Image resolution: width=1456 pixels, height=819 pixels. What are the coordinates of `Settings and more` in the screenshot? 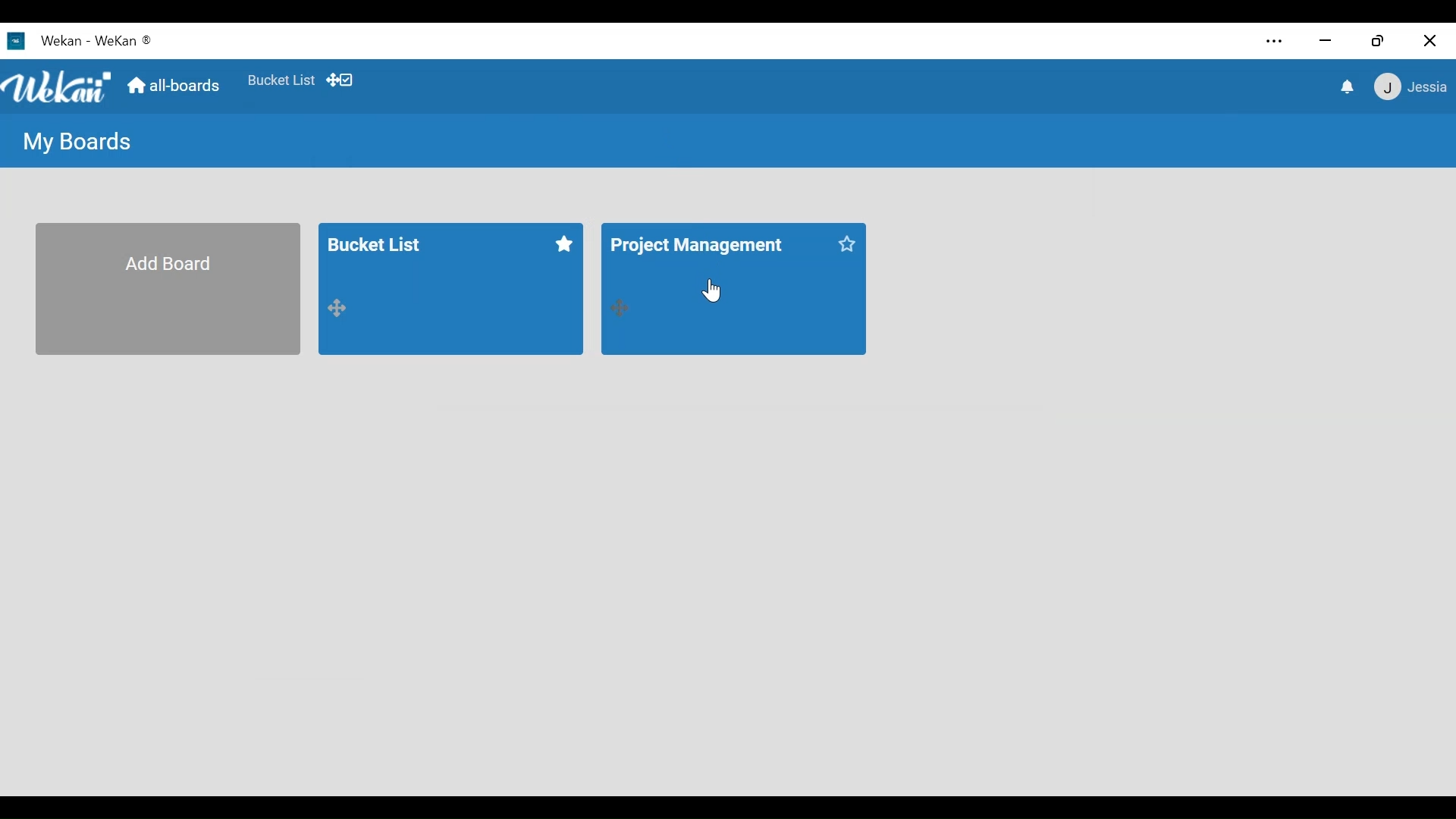 It's located at (1273, 42).